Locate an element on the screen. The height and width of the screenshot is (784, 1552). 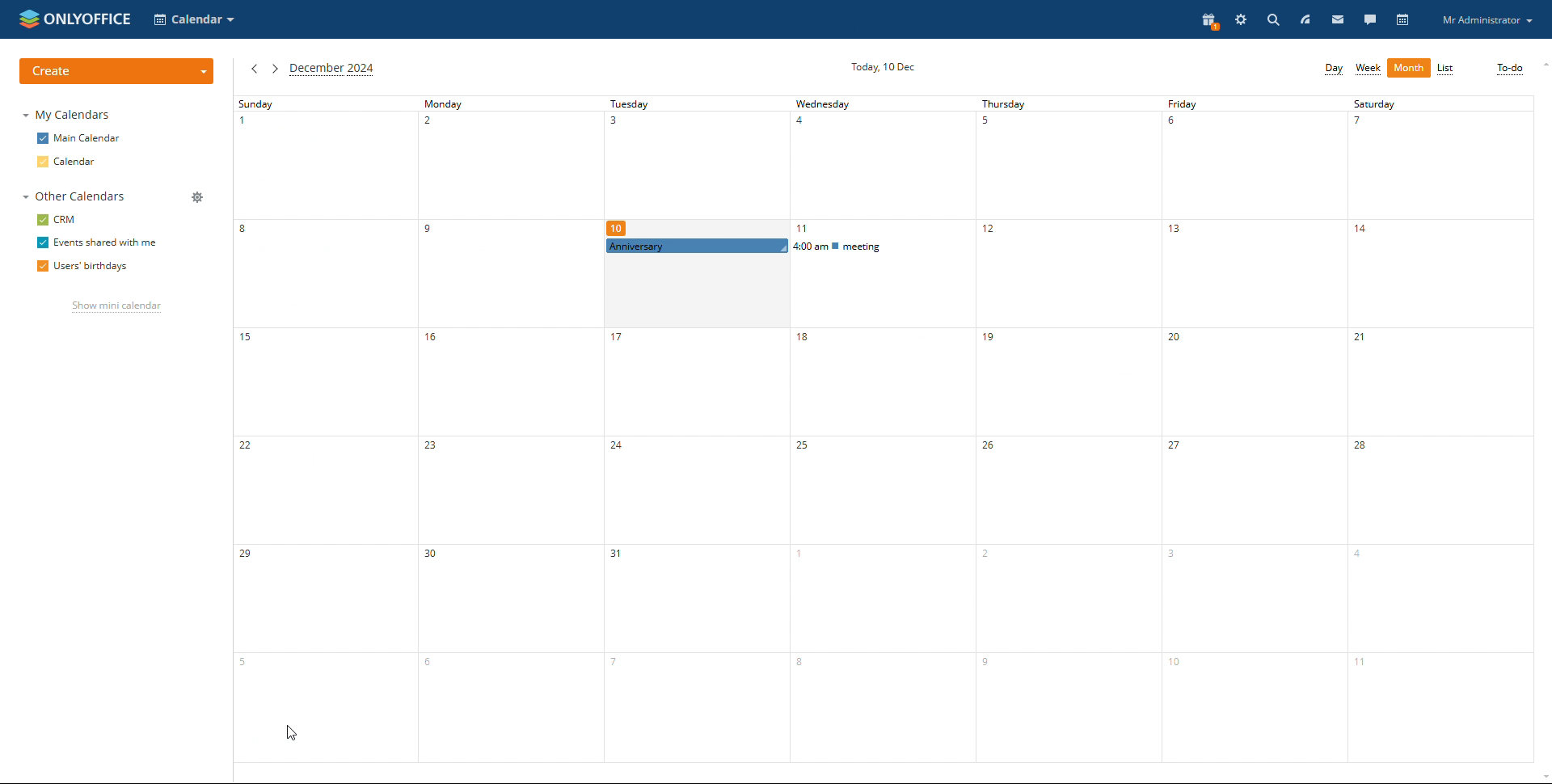
to-do is located at coordinates (1509, 69).